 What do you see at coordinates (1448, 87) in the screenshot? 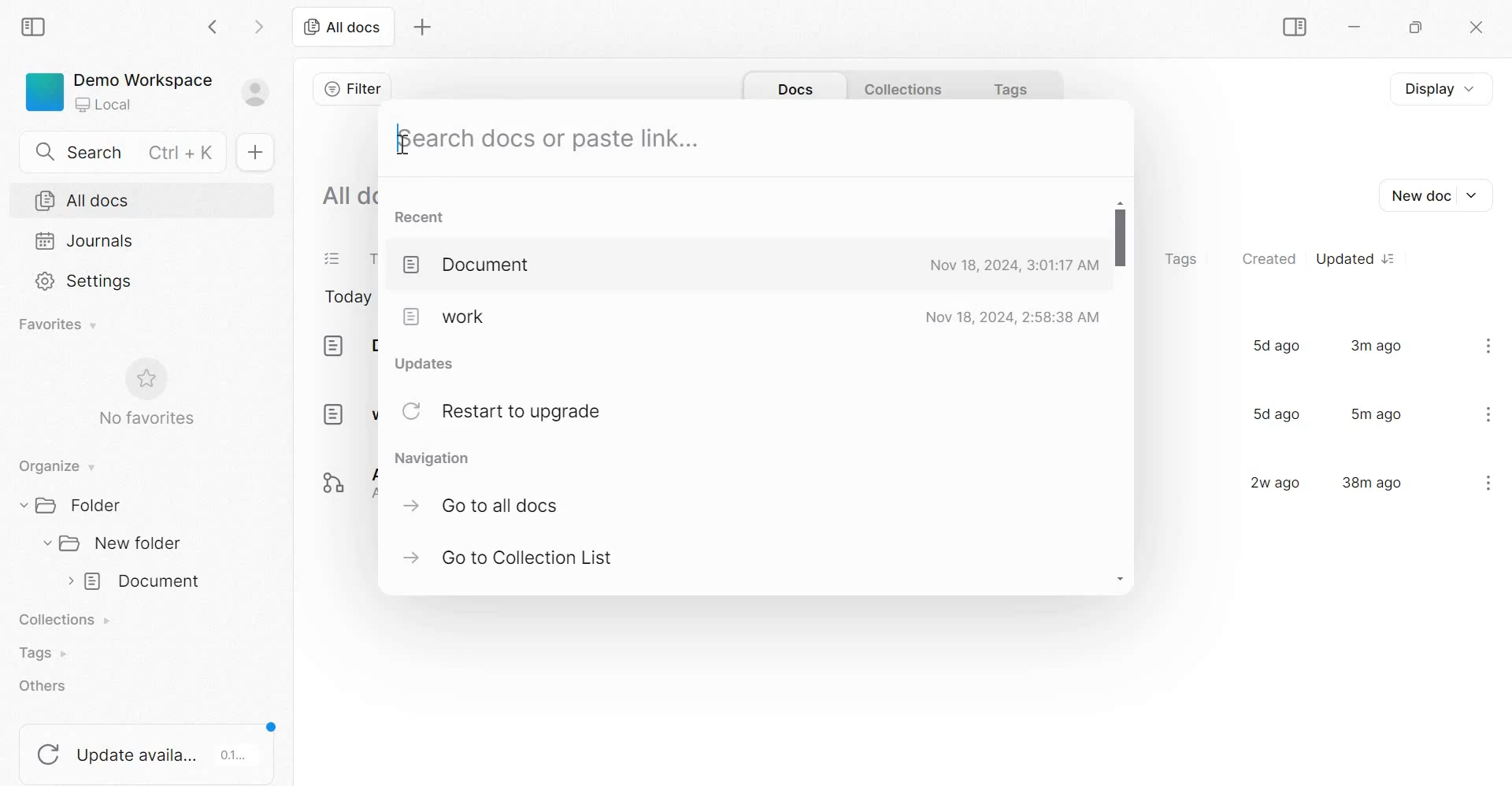
I see `Display` at bounding box center [1448, 87].